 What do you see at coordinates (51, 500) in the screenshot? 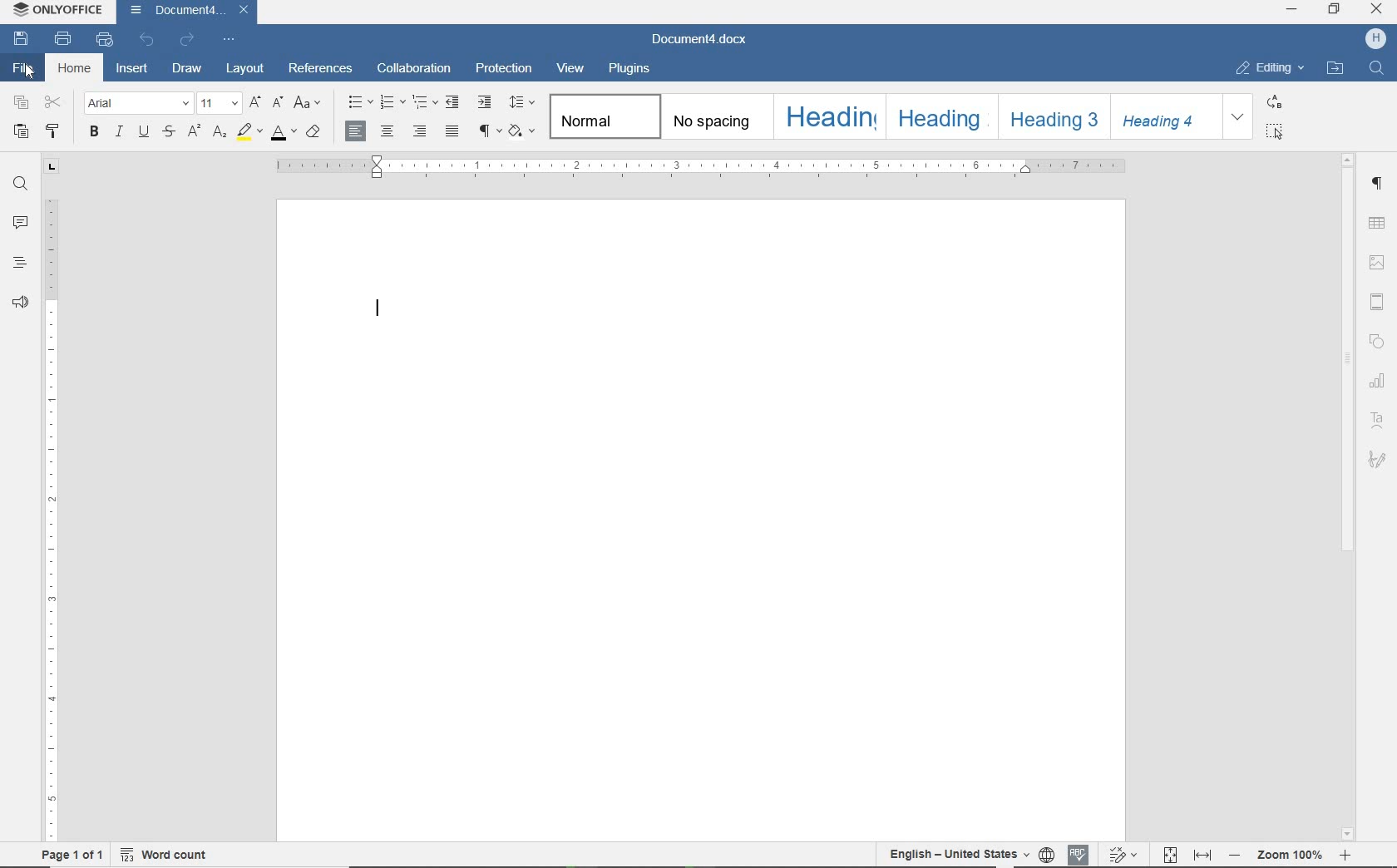
I see `ruler` at bounding box center [51, 500].